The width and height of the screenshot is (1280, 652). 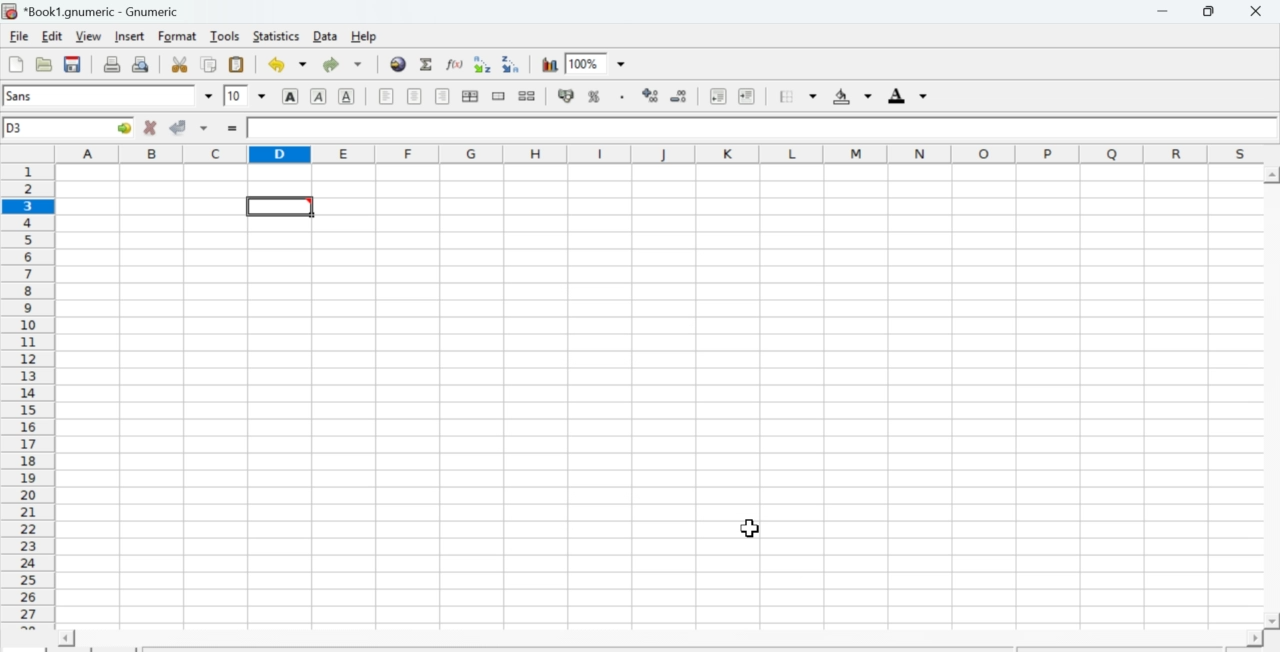 I want to click on Data, so click(x=326, y=36).